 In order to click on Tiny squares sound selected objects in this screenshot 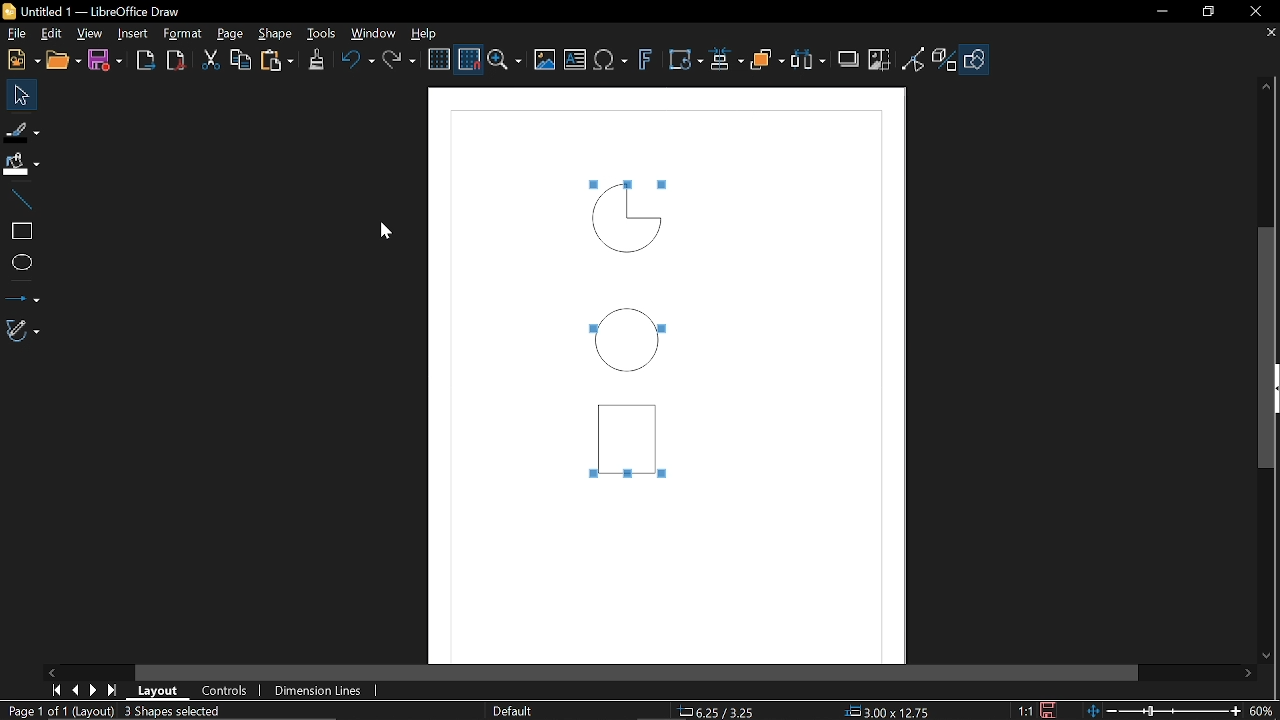, I will do `click(628, 477)`.